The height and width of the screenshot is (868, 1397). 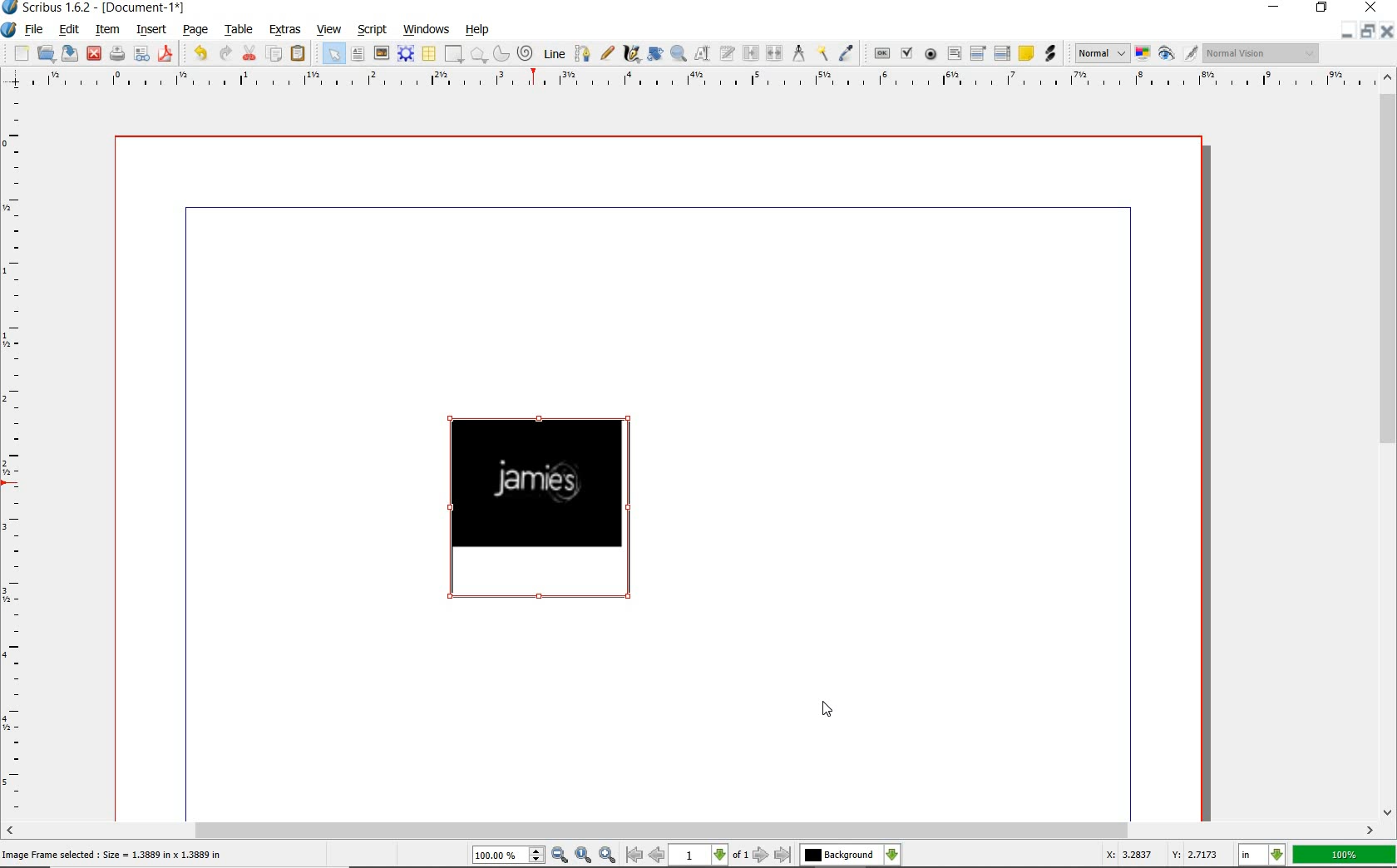 I want to click on text annotation, so click(x=1027, y=54).